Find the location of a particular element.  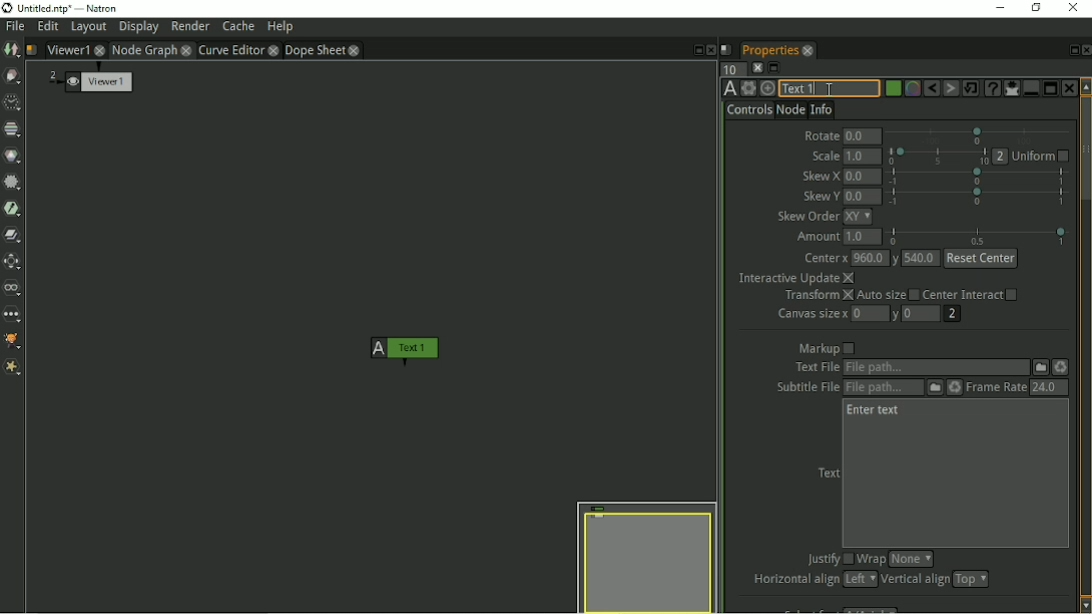

24 is located at coordinates (1049, 388).